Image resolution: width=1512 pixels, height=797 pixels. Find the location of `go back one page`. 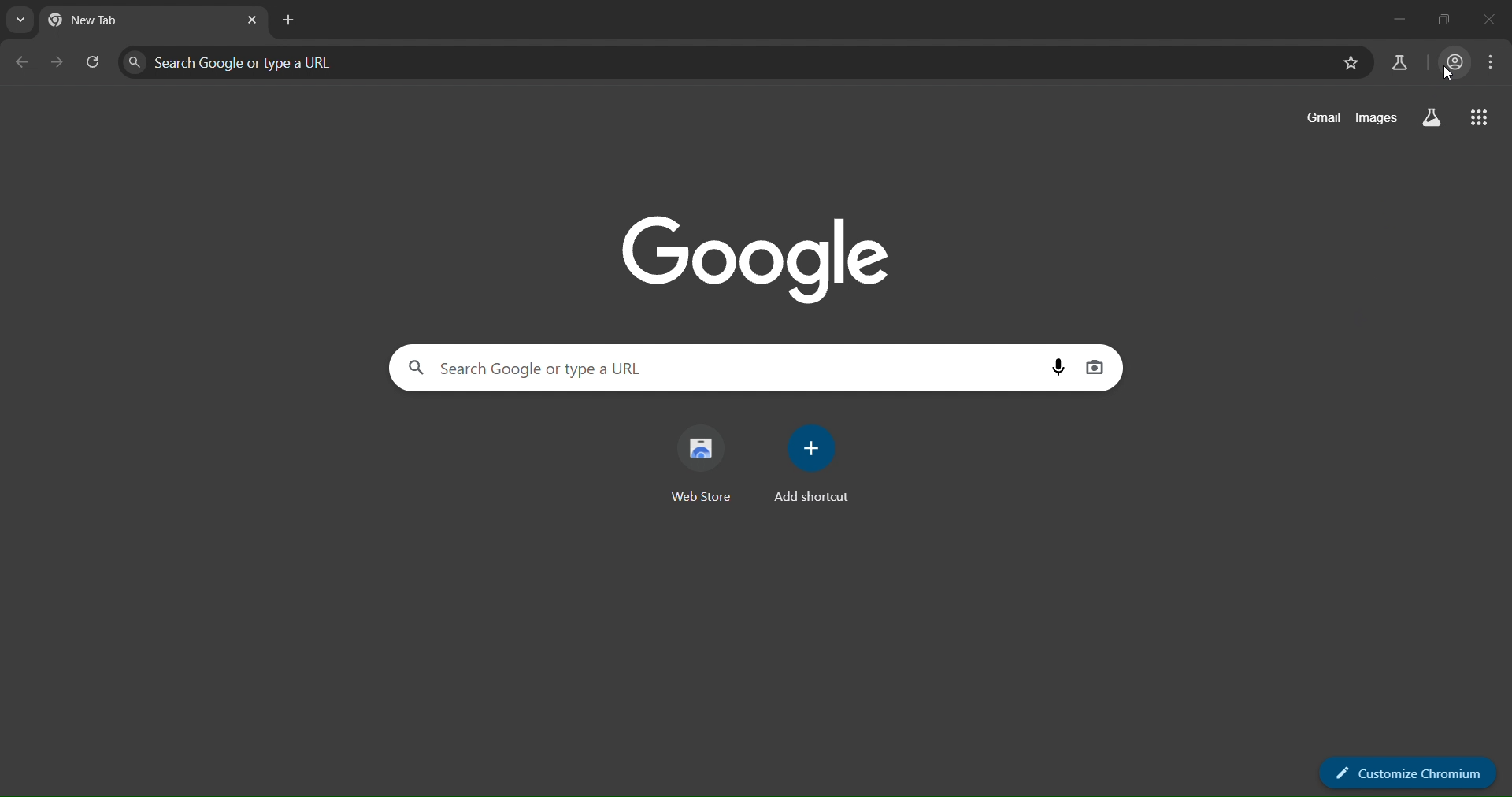

go back one page is located at coordinates (17, 63).